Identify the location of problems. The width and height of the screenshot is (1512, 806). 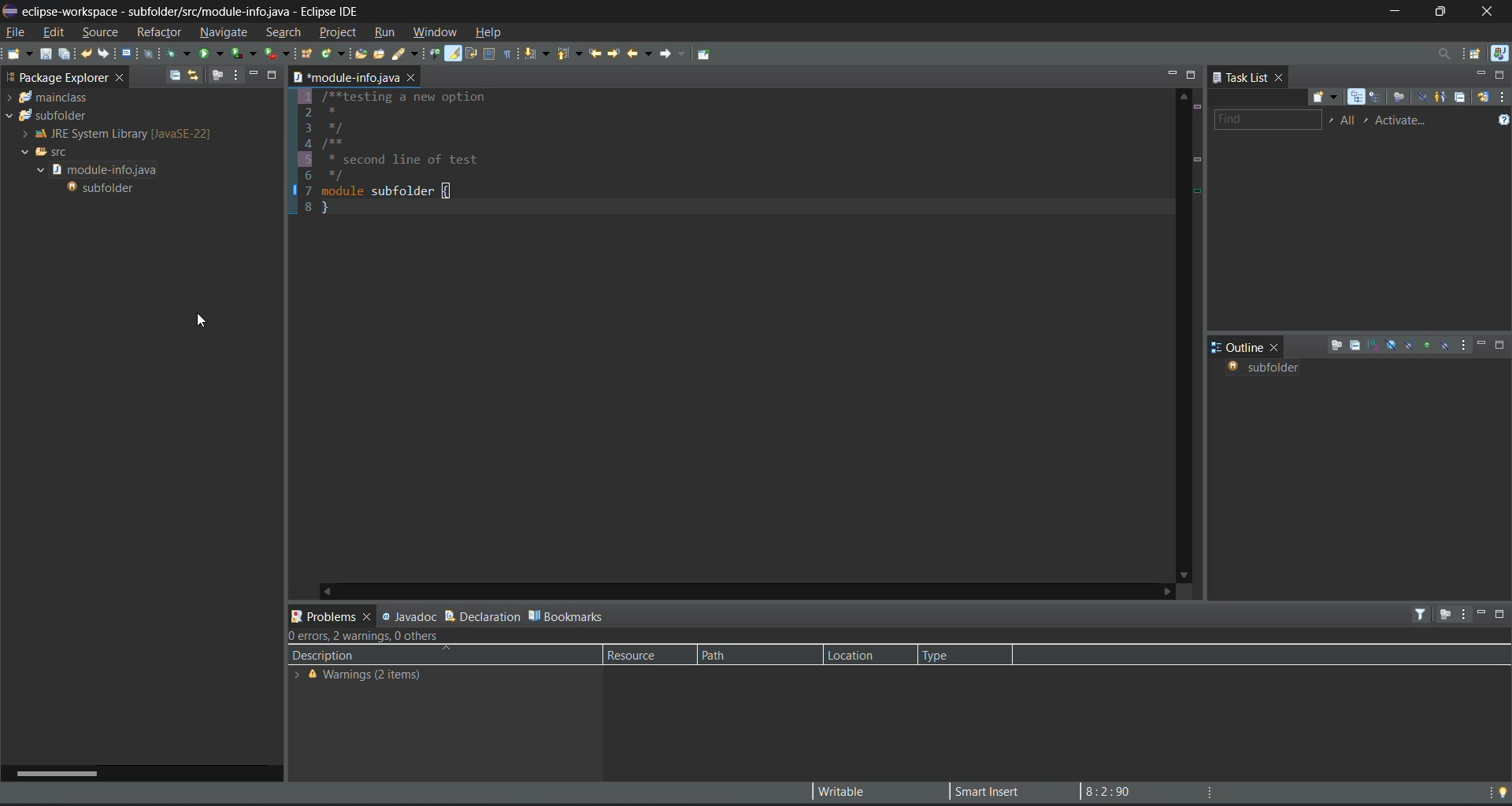
(332, 615).